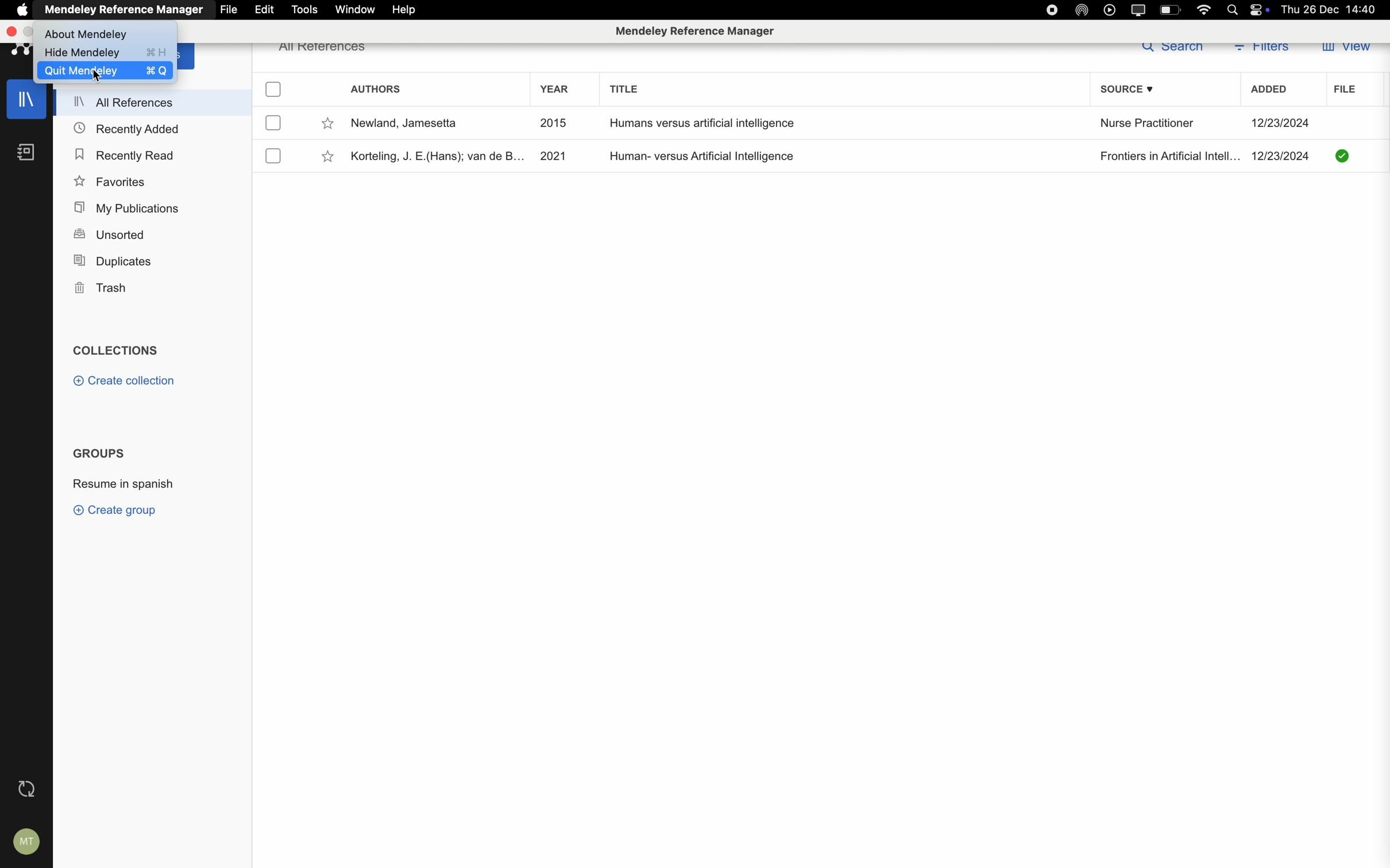 This screenshot has width=1390, height=868. What do you see at coordinates (28, 843) in the screenshot?
I see `account settings` at bounding box center [28, 843].